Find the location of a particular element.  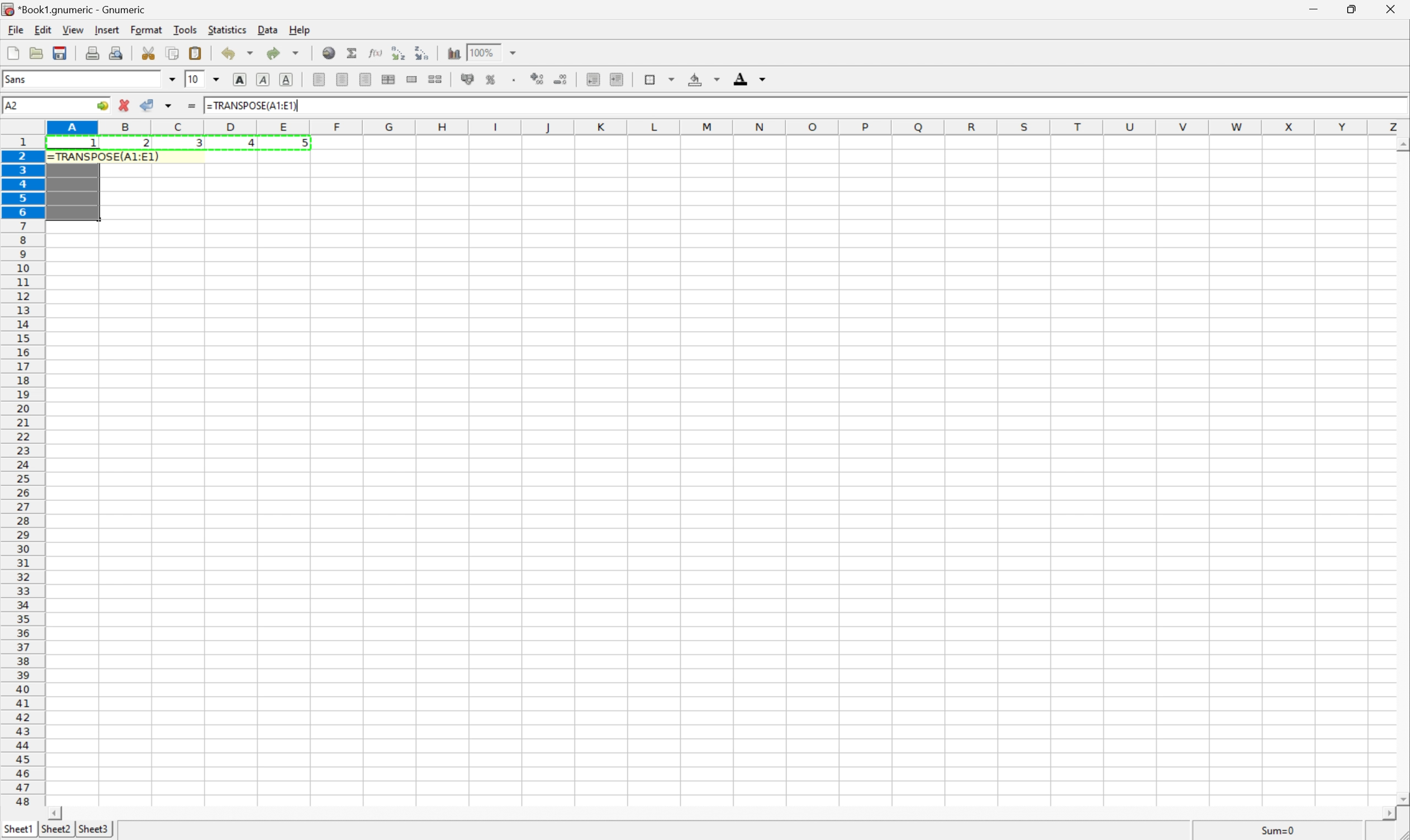

scroll down is located at coordinates (1401, 794).